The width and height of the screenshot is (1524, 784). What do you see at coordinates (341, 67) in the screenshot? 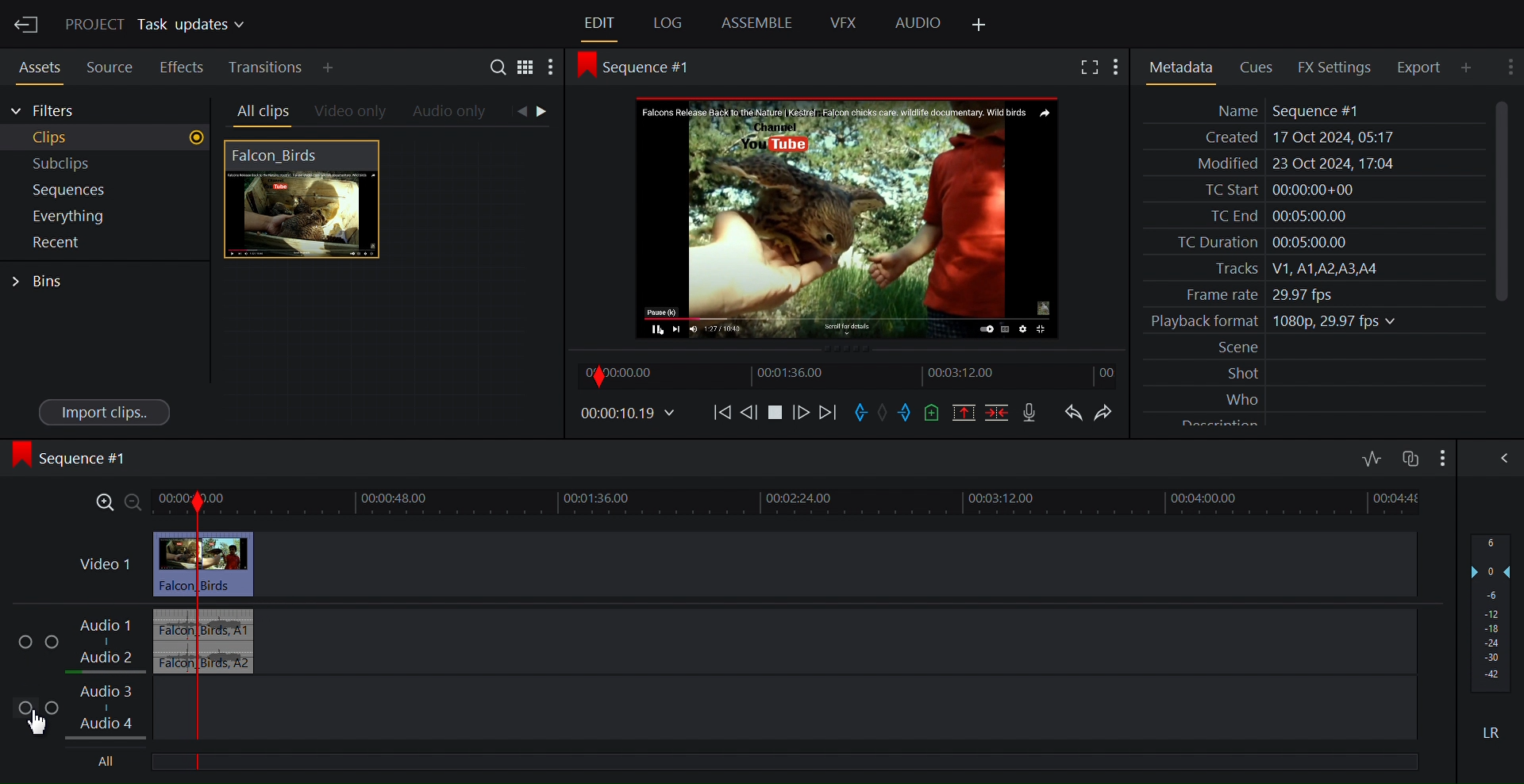
I see `Add` at bounding box center [341, 67].